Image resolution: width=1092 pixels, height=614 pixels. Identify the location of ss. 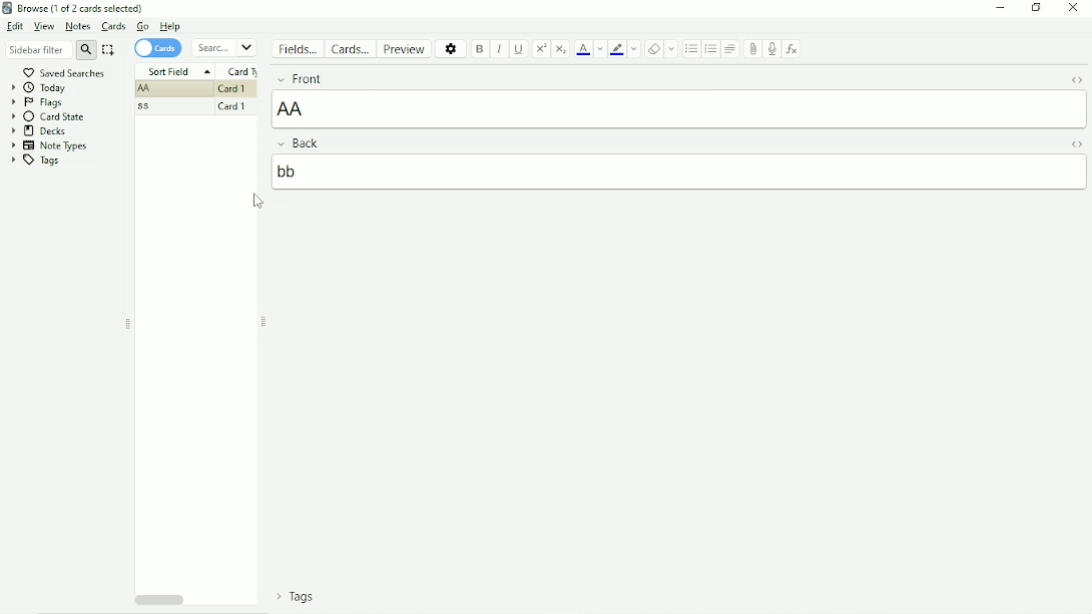
(145, 106).